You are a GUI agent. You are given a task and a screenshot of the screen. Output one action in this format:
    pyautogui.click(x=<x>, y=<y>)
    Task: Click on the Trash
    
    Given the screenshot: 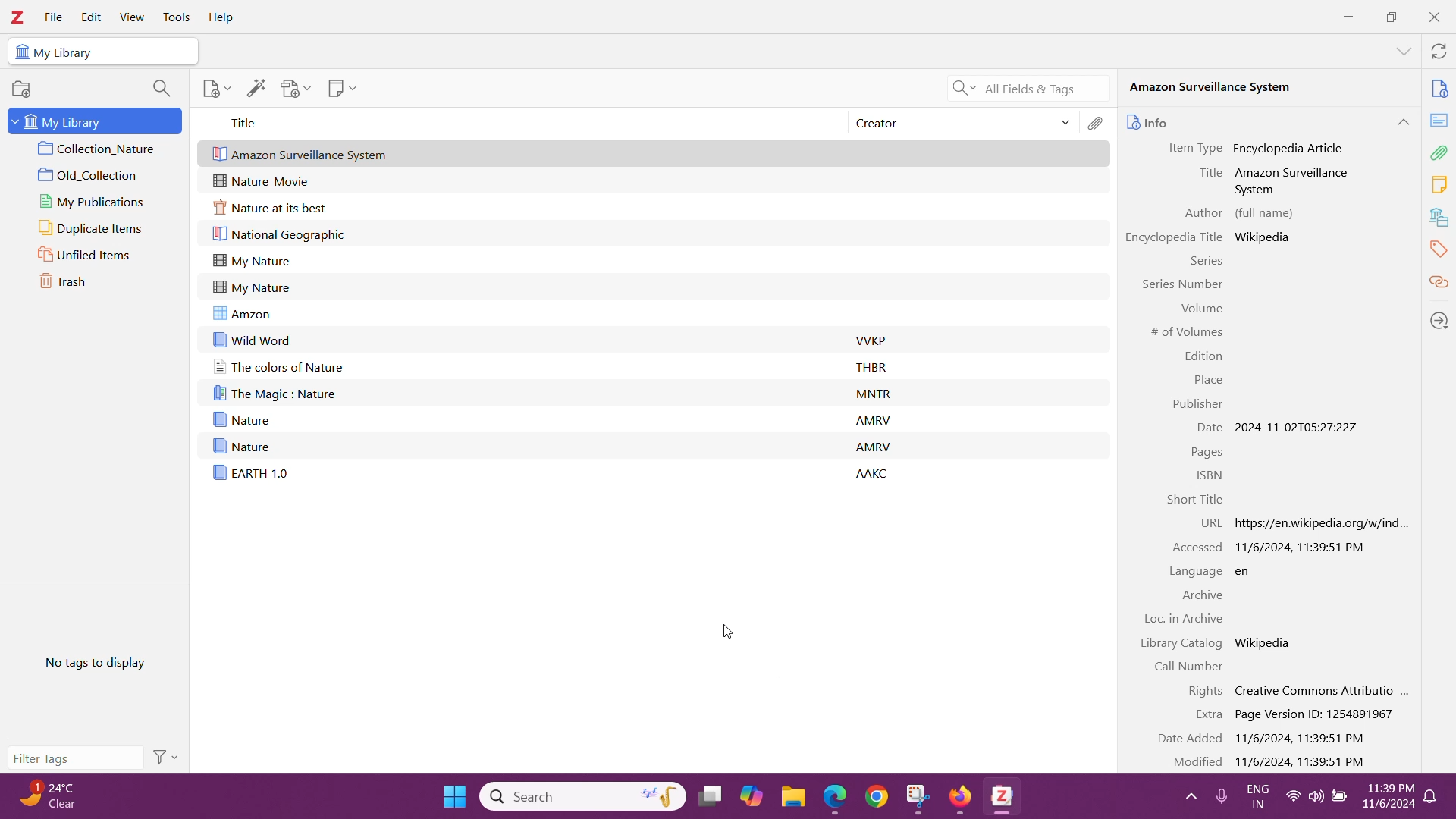 What is the action you would take?
    pyautogui.click(x=104, y=281)
    